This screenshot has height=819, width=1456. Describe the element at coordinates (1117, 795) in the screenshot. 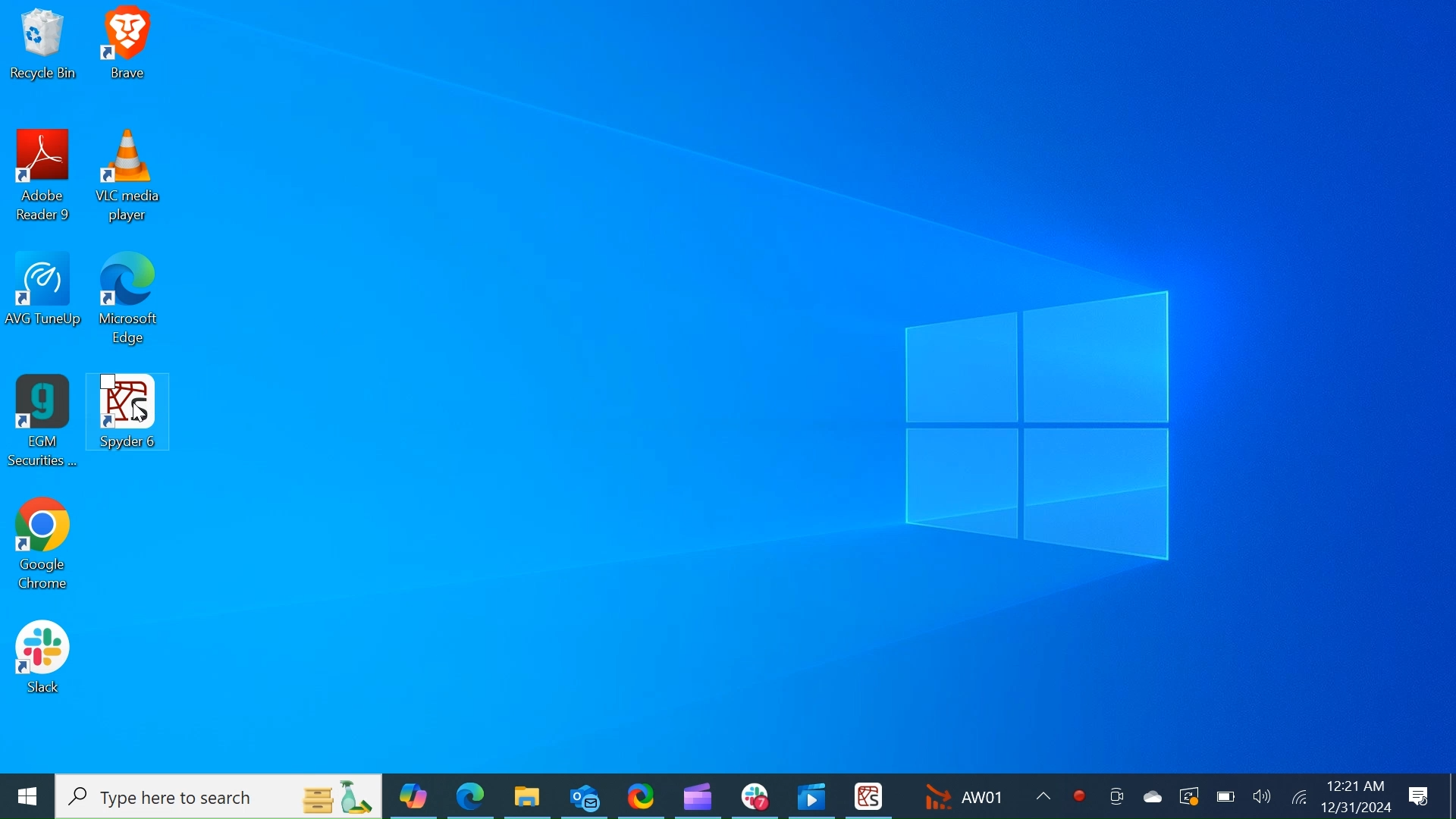

I see `Meet now` at that location.